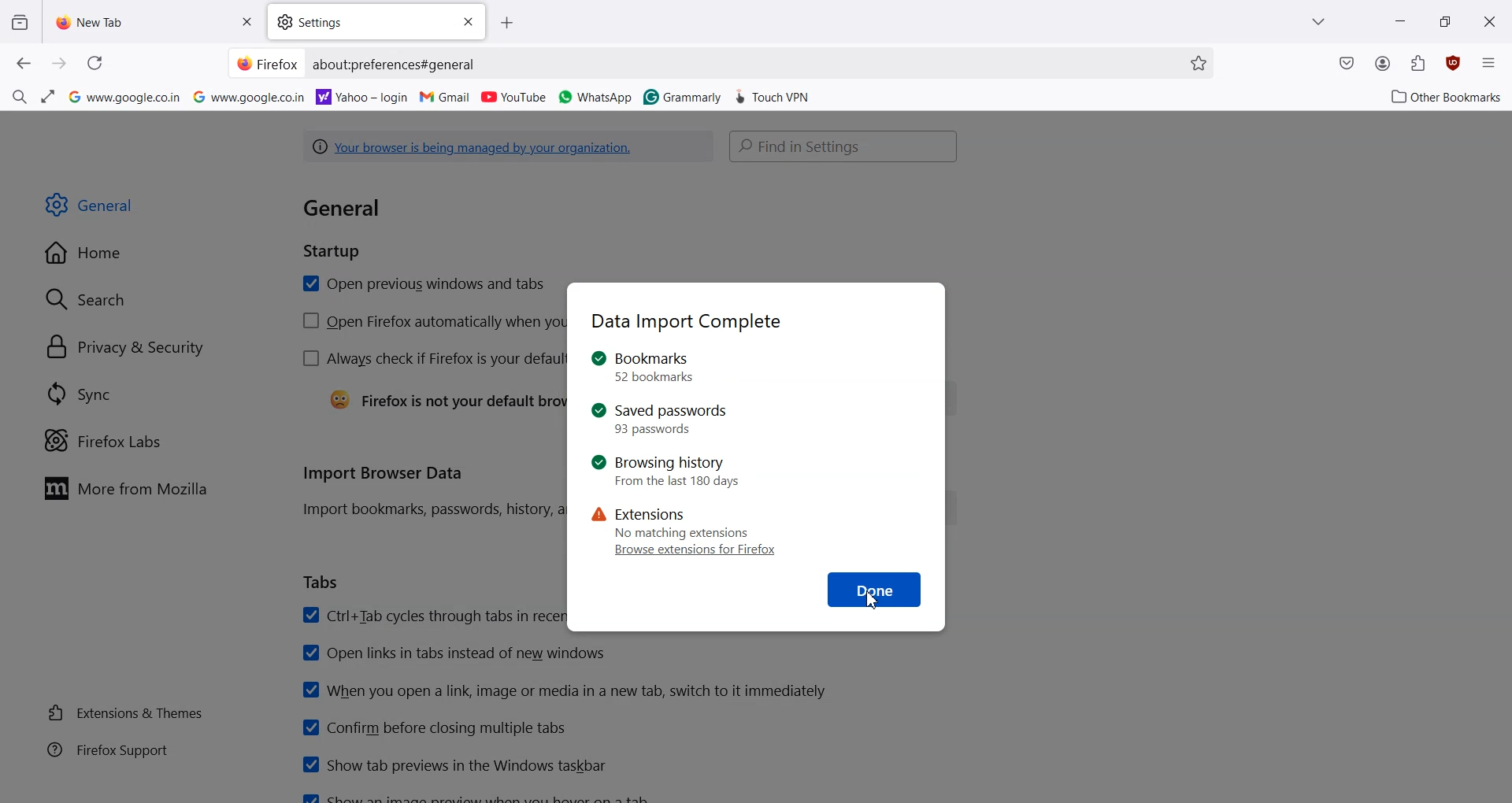 The width and height of the screenshot is (1512, 803). Describe the element at coordinates (127, 22) in the screenshot. I see `New Tab` at that location.